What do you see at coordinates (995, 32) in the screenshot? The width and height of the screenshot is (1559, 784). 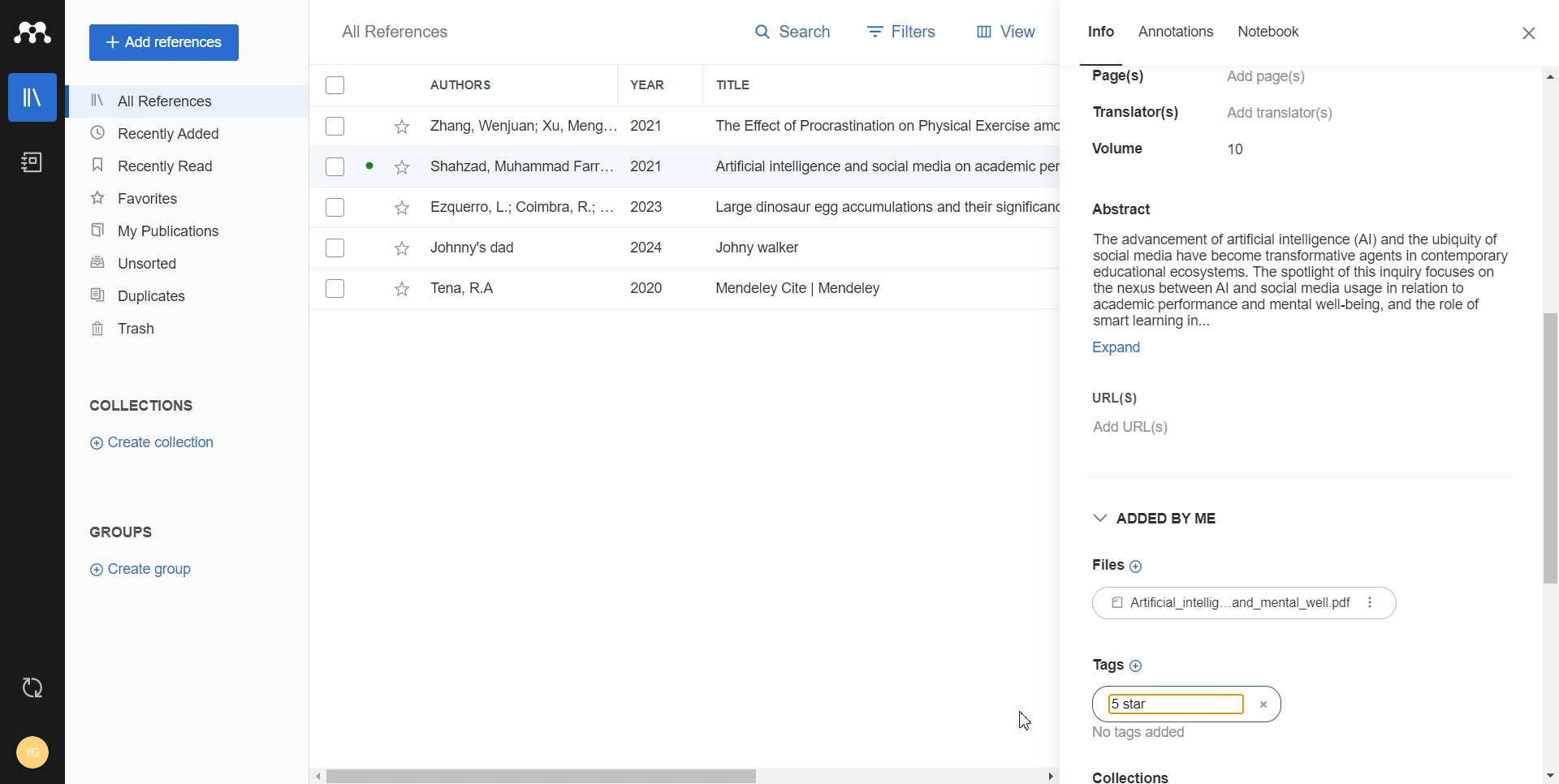 I see `View` at bounding box center [995, 32].